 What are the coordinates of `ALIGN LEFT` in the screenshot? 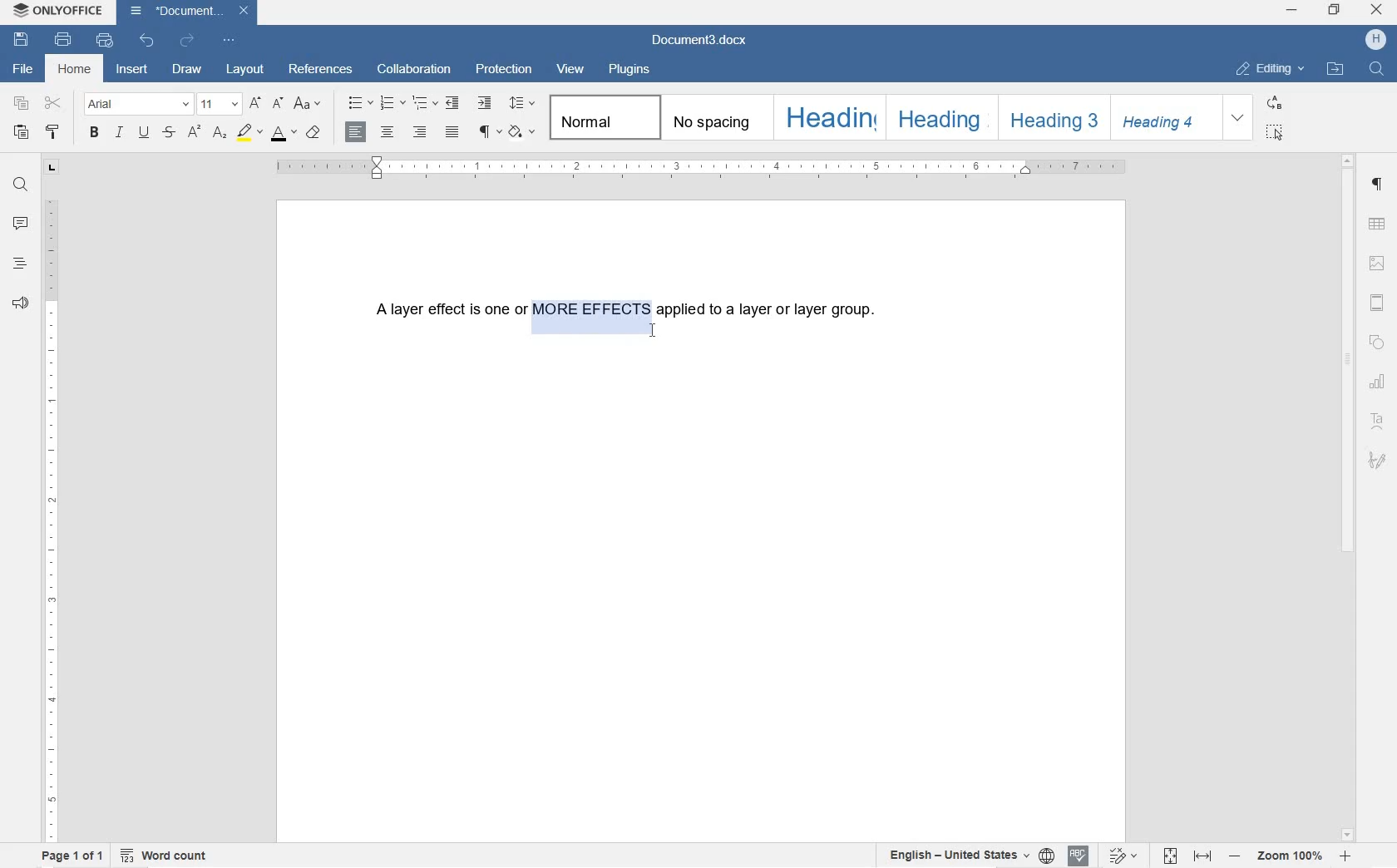 It's located at (353, 131).